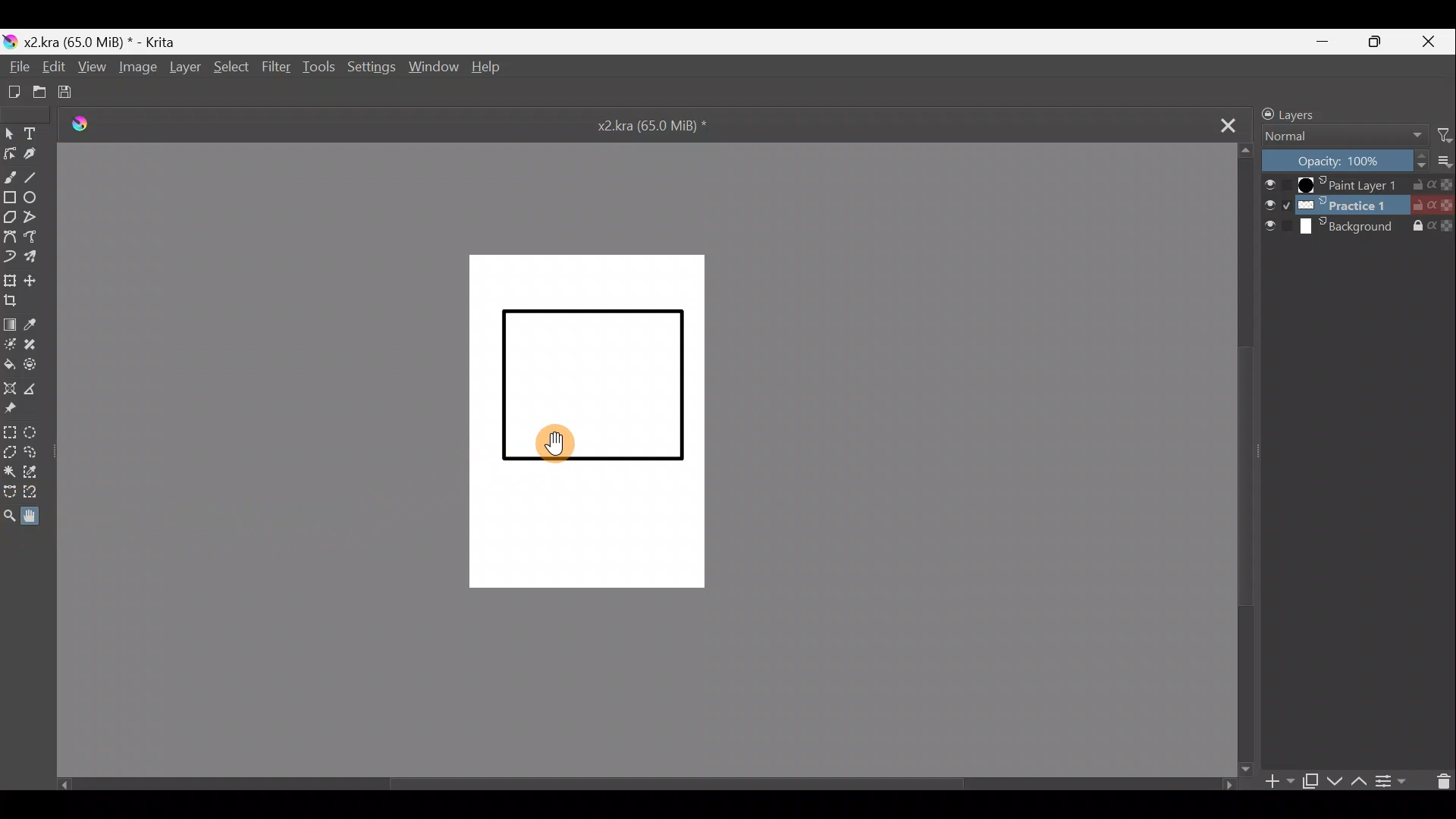 Image resolution: width=1456 pixels, height=819 pixels. What do you see at coordinates (33, 280) in the screenshot?
I see `Move a layer` at bounding box center [33, 280].